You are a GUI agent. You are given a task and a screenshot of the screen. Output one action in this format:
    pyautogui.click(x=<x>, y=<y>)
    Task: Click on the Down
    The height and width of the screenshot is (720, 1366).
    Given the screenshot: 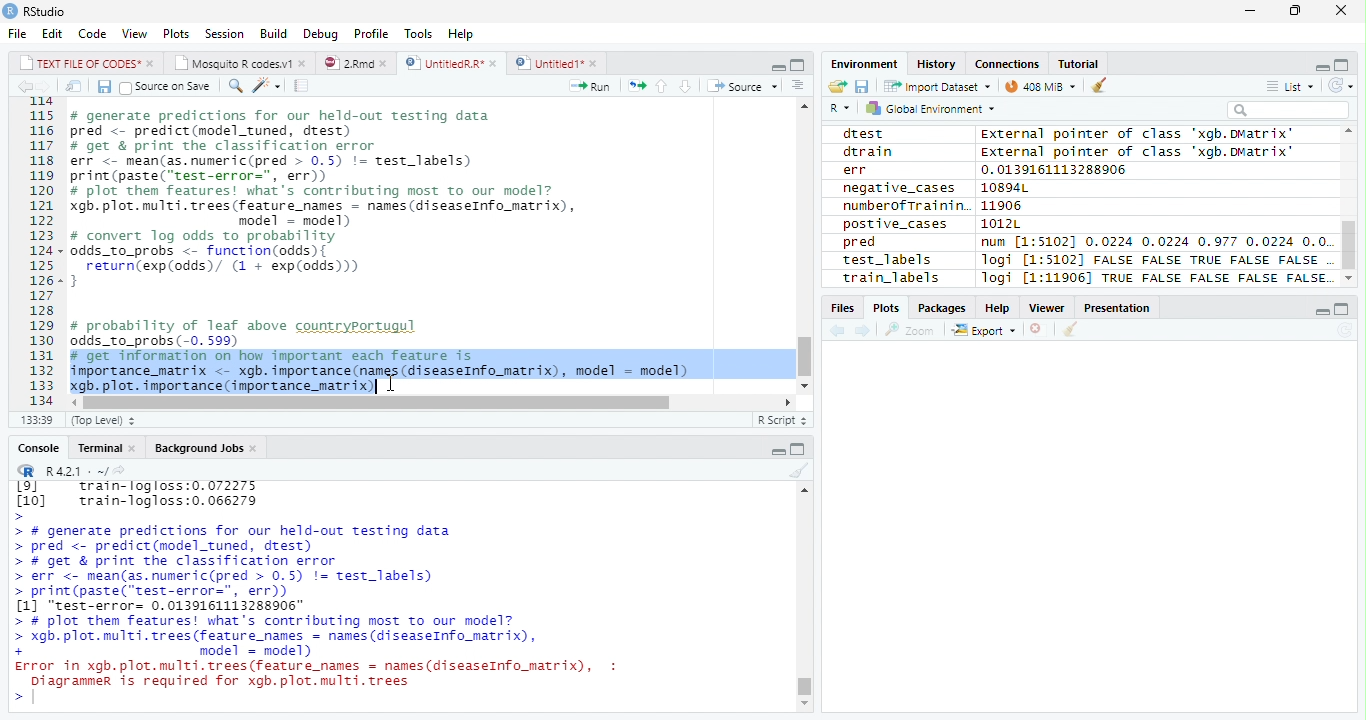 What is the action you would take?
    pyautogui.click(x=685, y=85)
    